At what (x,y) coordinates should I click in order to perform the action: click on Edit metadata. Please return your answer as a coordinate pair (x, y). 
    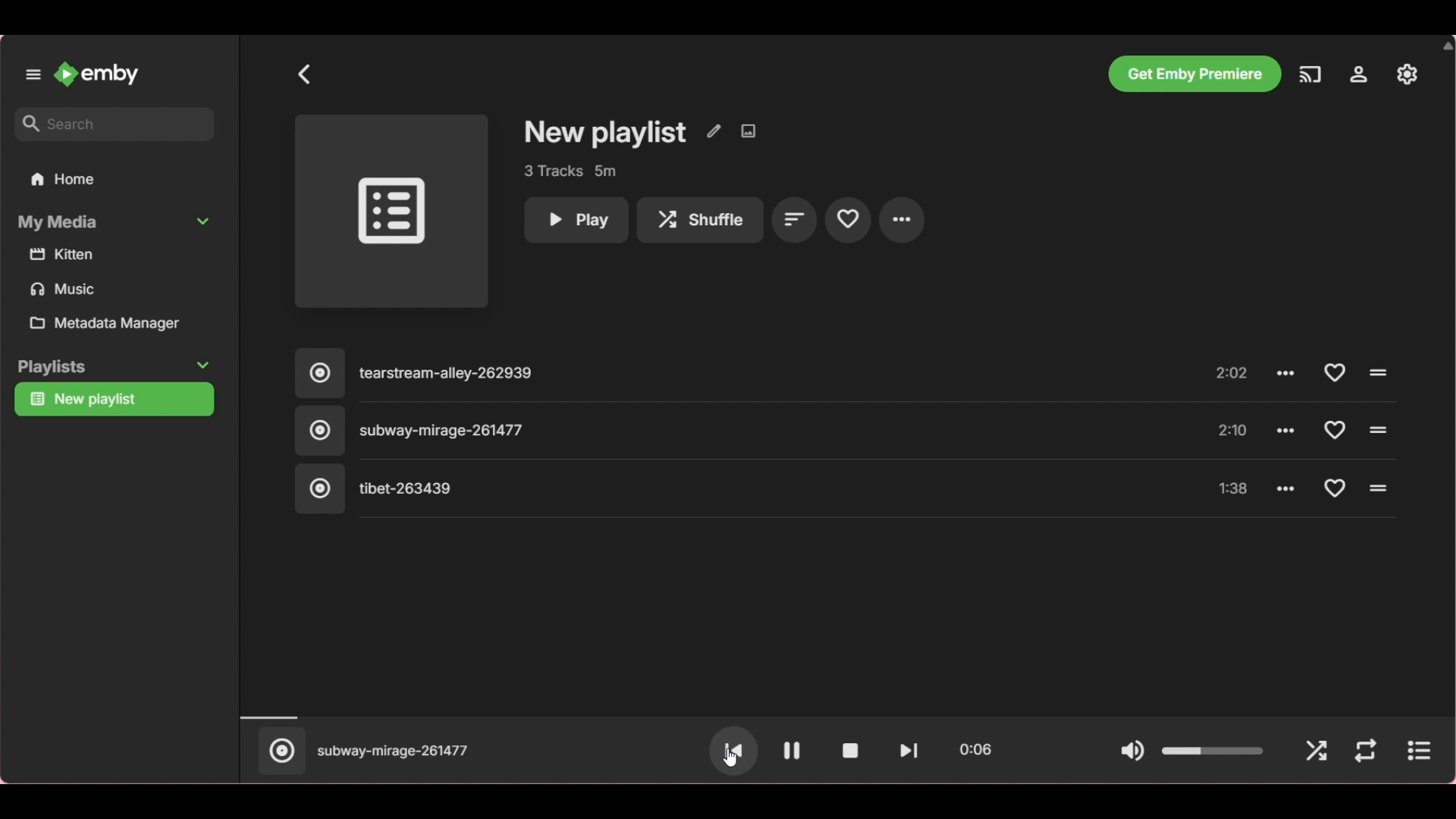
    Looking at the image, I should click on (714, 131).